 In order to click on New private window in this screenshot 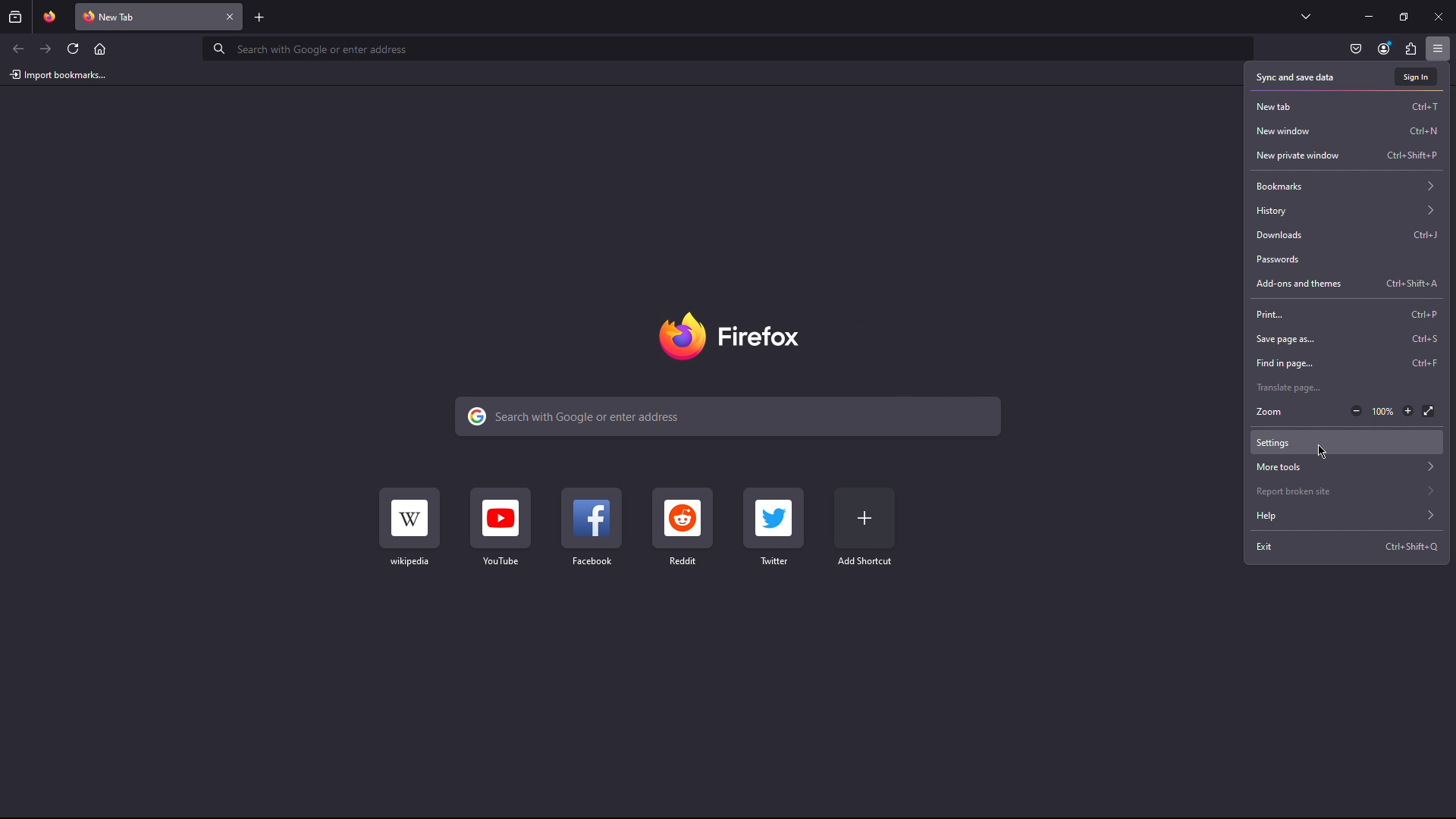, I will do `click(1347, 155)`.